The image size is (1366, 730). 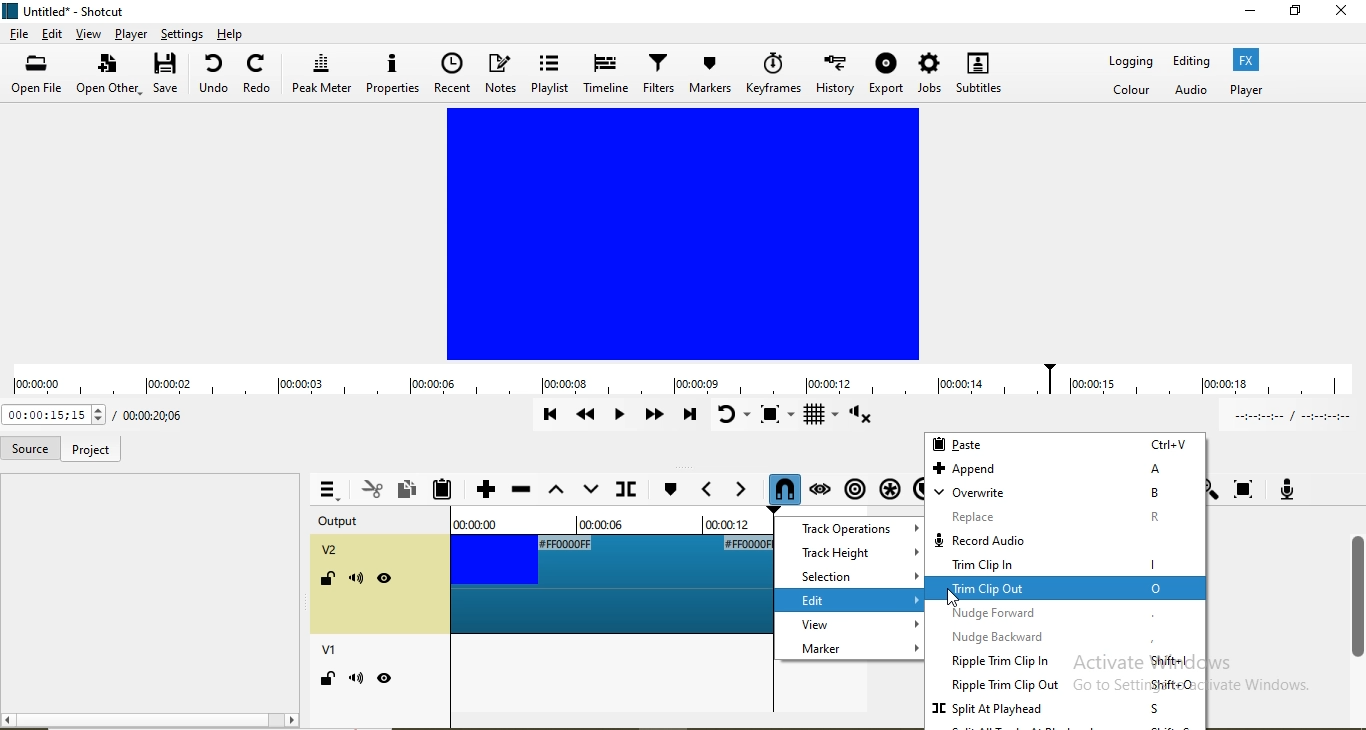 What do you see at coordinates (957, 594) in the screenshot?
I see `Cursor` at bounding box center [957, 594].